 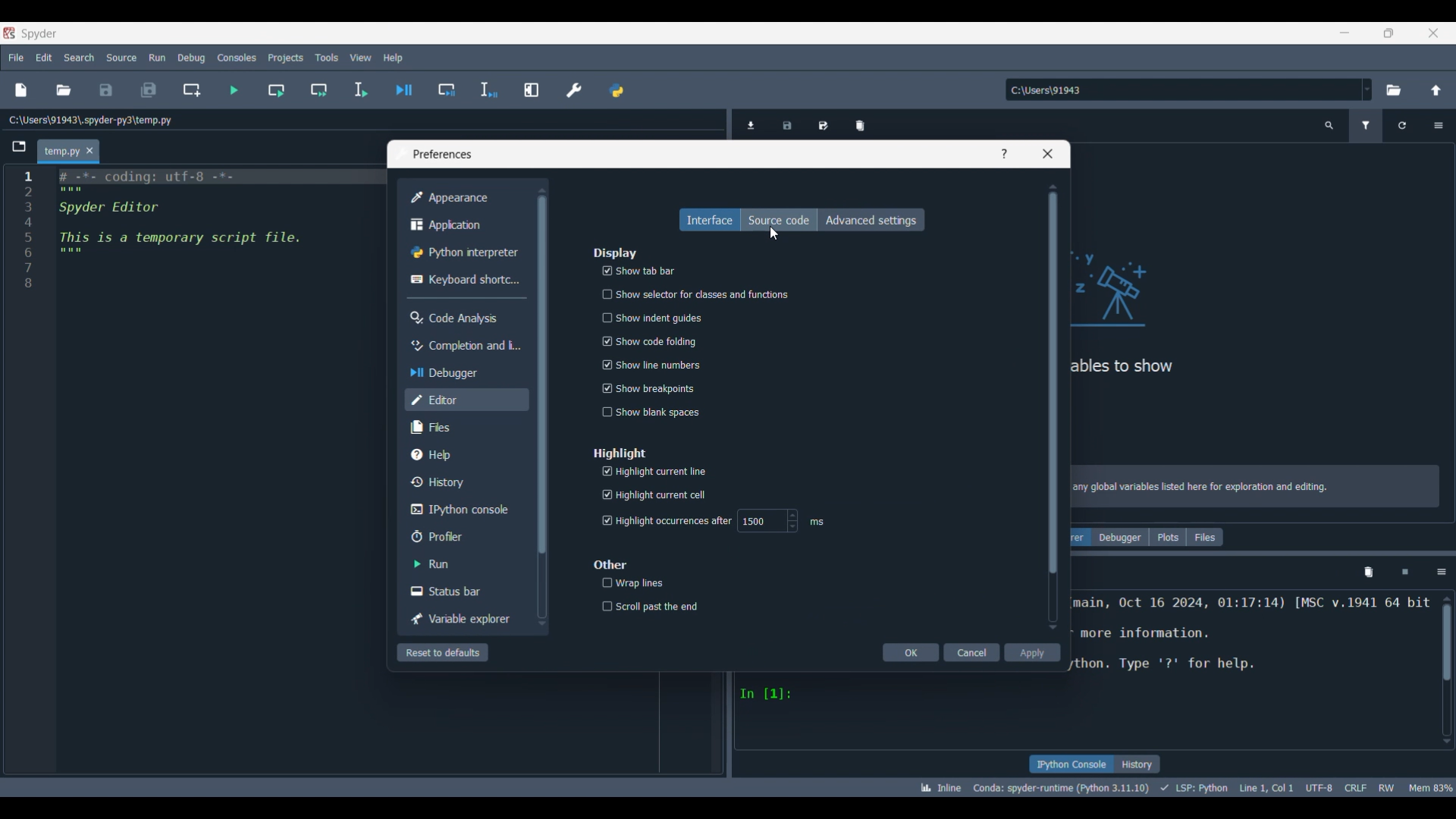 What do you see at coordinates (488, 90) in the screenshot?
I see `Debug selection/current line` at bounding box center [488, 90].